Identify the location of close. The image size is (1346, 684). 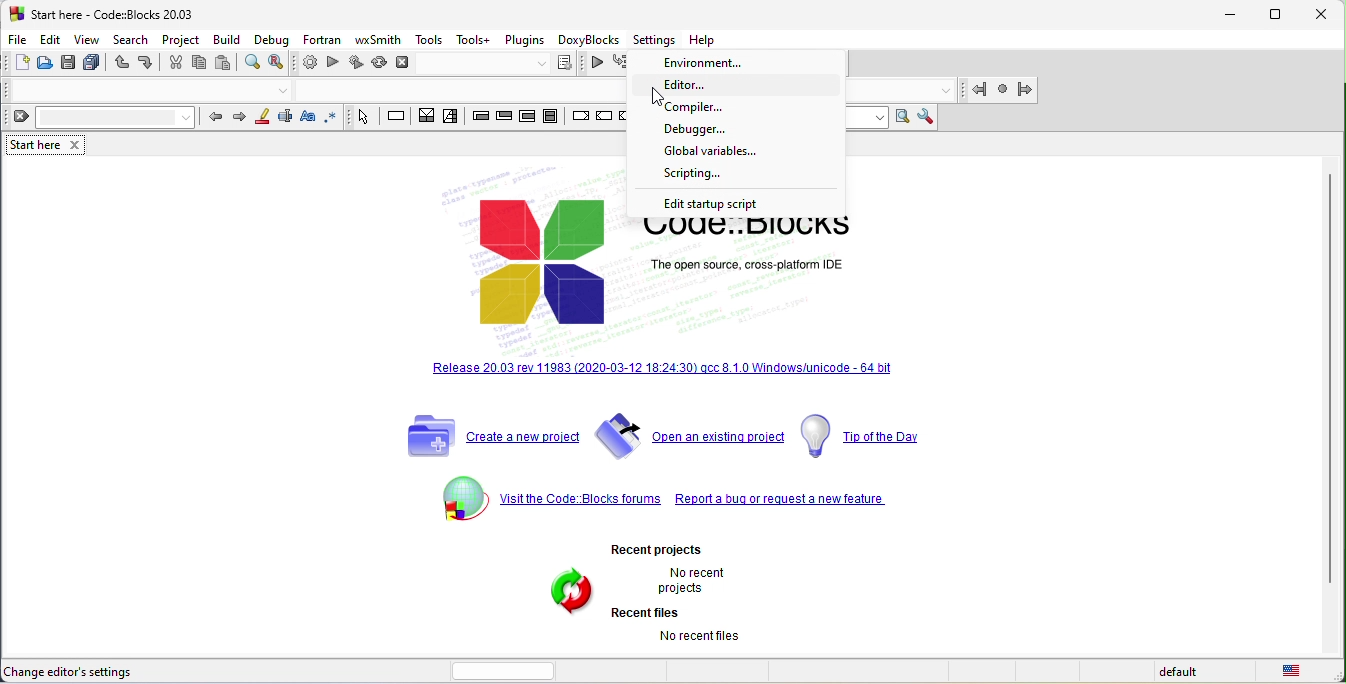
(74, 146).